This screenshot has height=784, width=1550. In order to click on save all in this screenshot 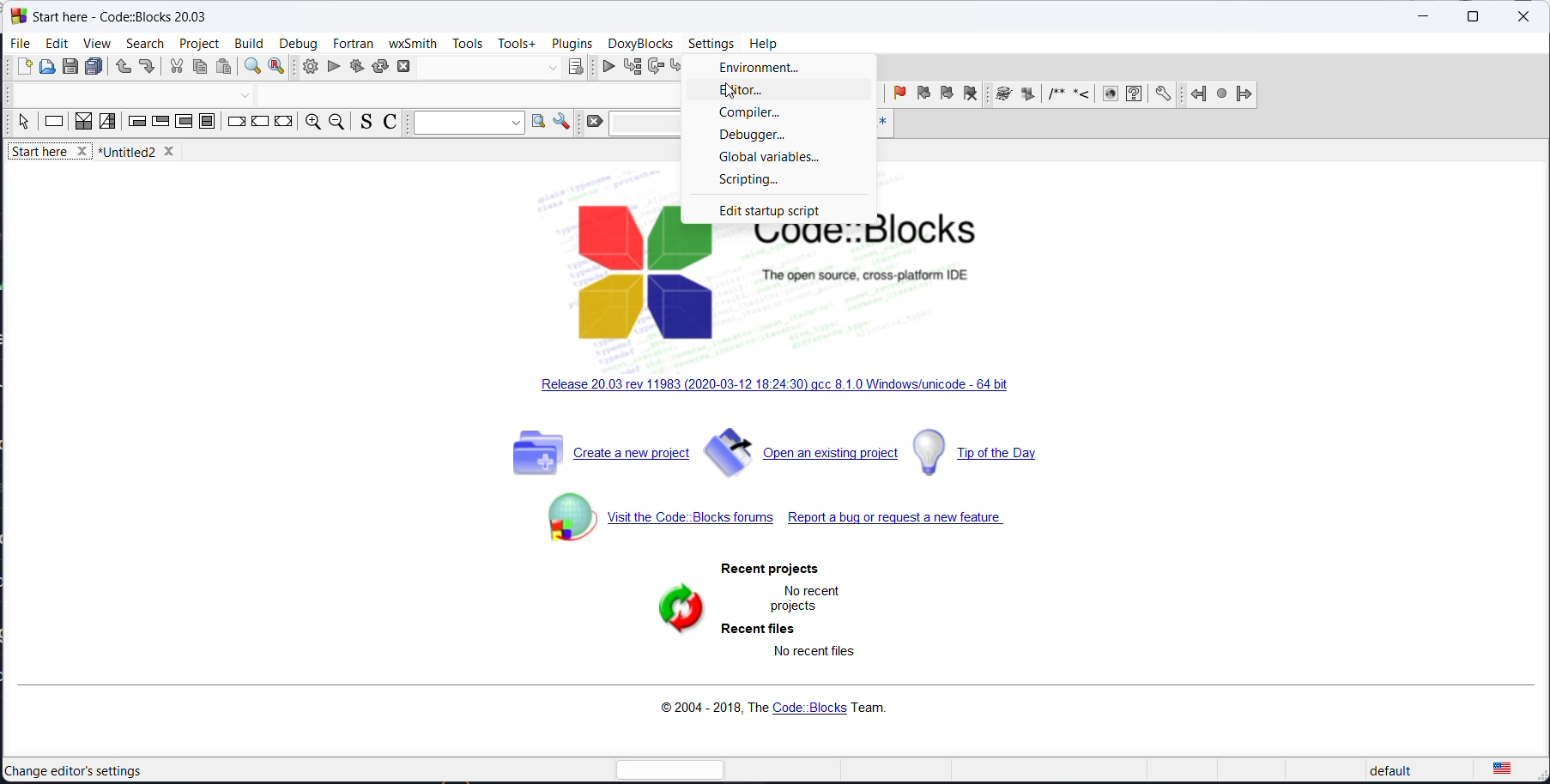, I will do `click(94, 68)`.